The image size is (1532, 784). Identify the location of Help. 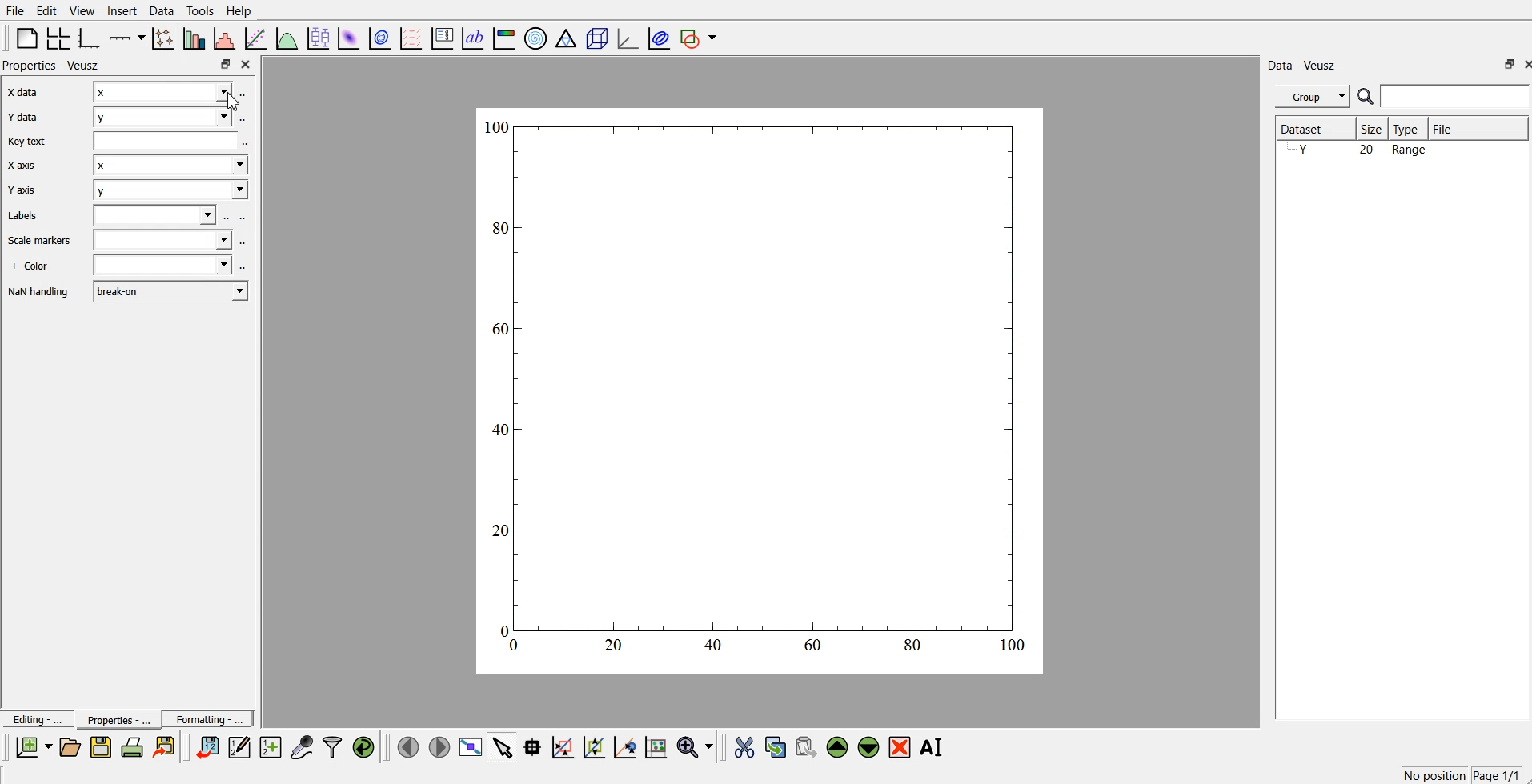
(243, 10).